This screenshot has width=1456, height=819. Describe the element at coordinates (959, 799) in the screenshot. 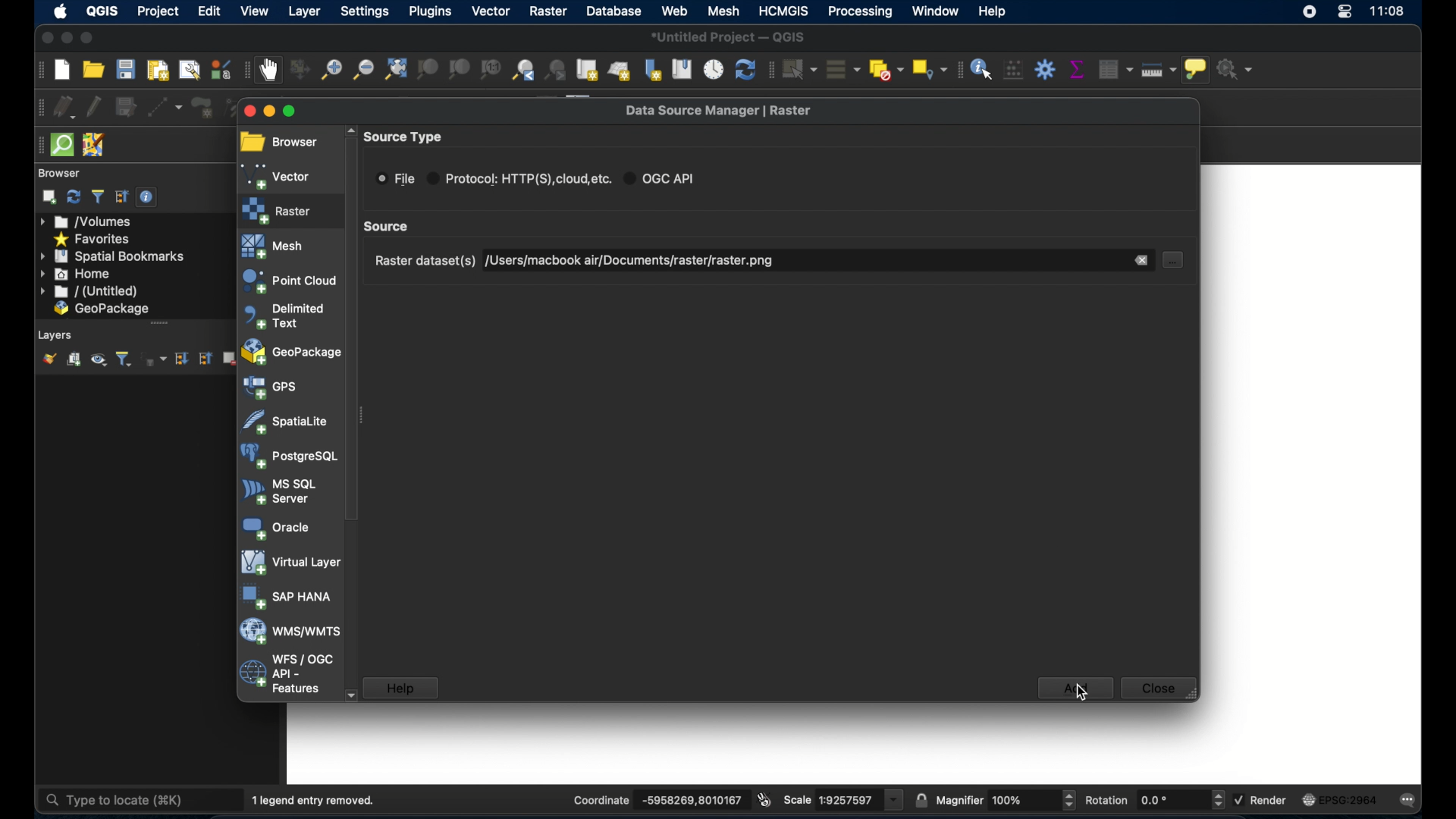

I see `magnifier` at that location.